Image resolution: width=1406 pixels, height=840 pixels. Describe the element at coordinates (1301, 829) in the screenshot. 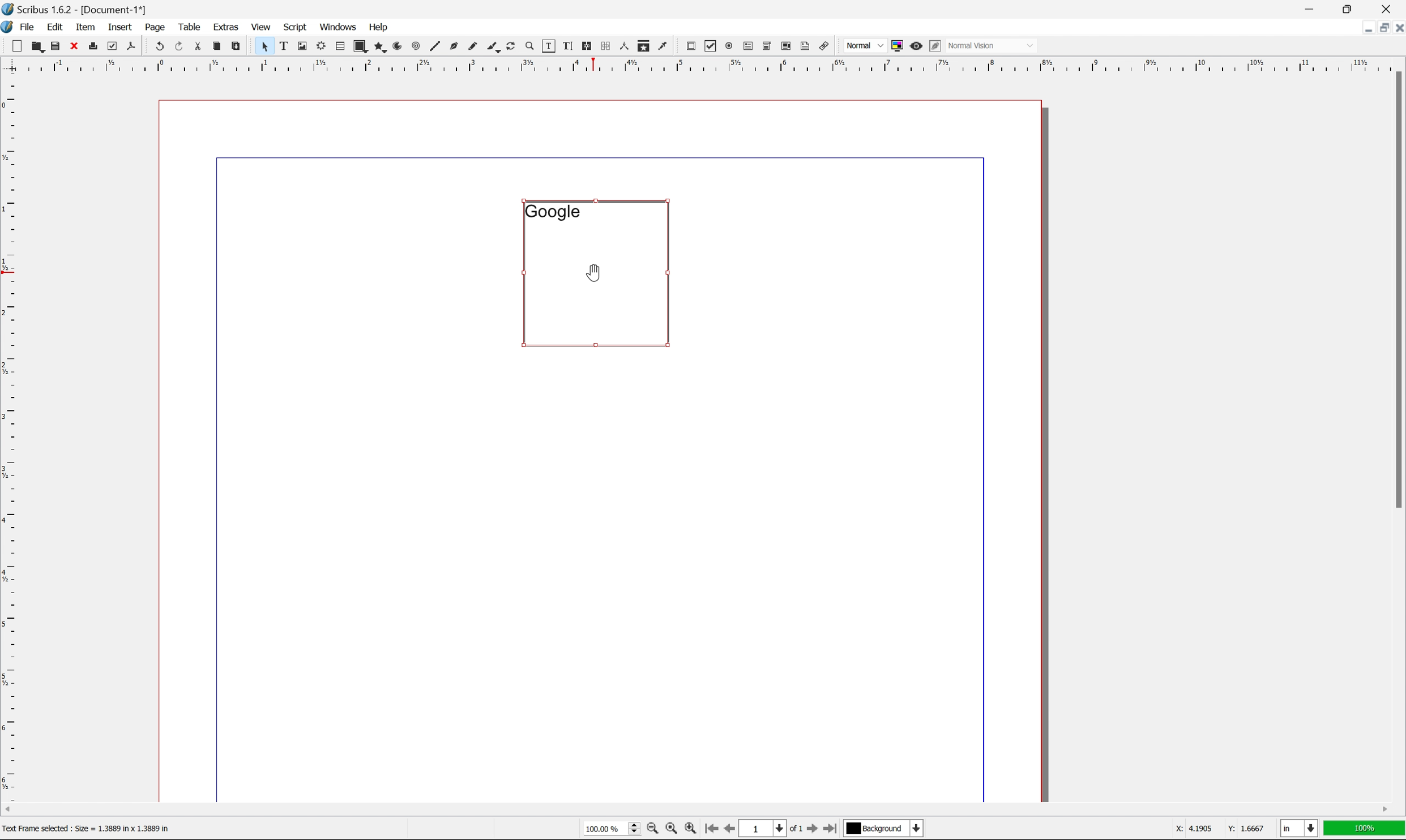

I see `select current unit` at that location.